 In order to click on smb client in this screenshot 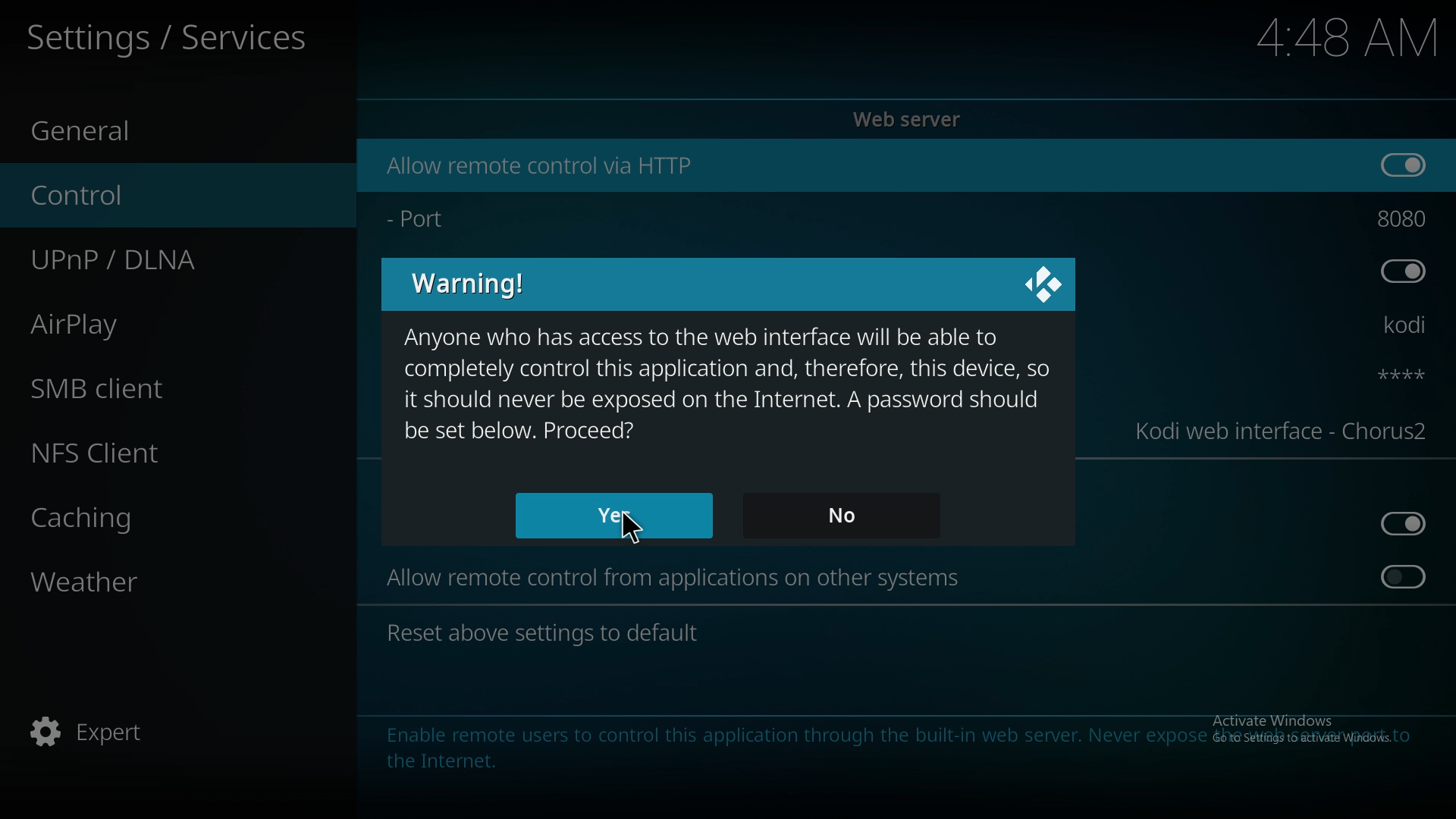, I will do `click(120, 388)`.